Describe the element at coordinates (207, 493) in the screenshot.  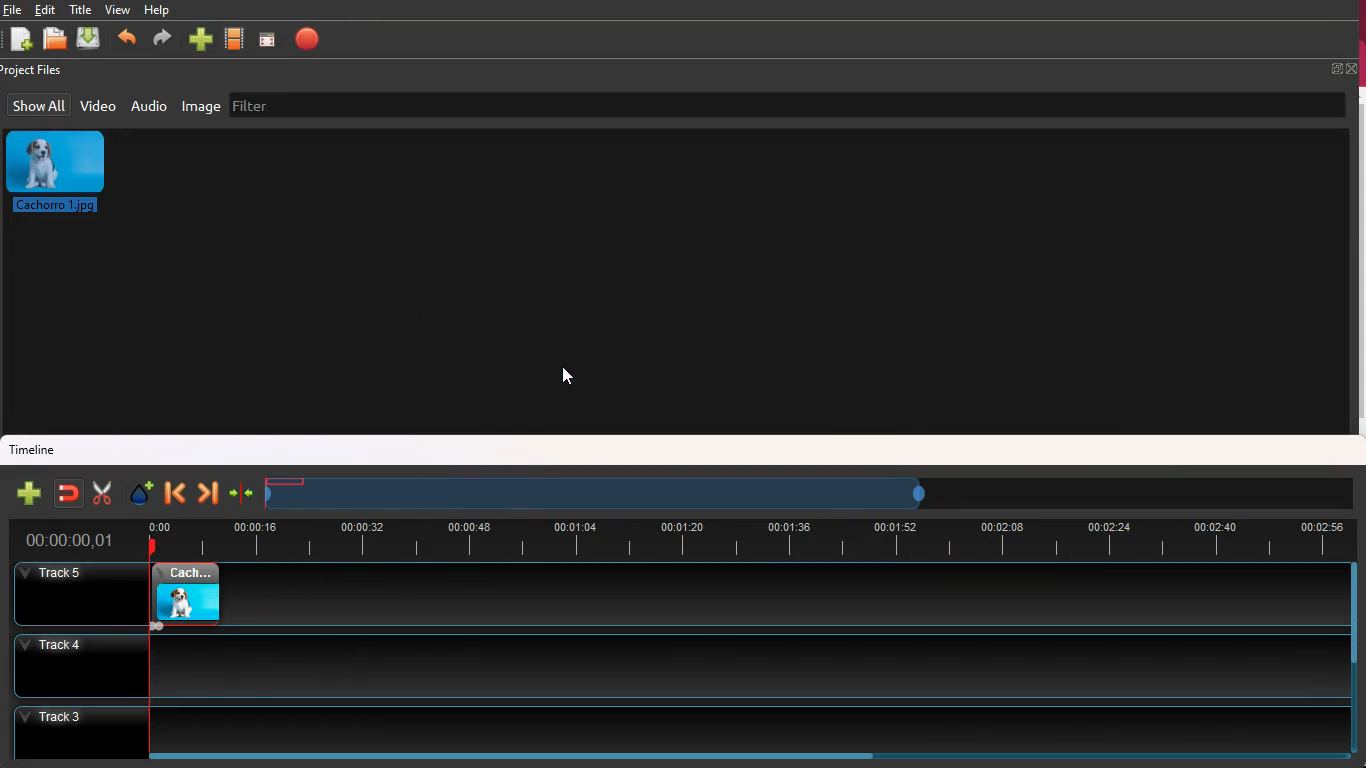
I see `forward` at that location.